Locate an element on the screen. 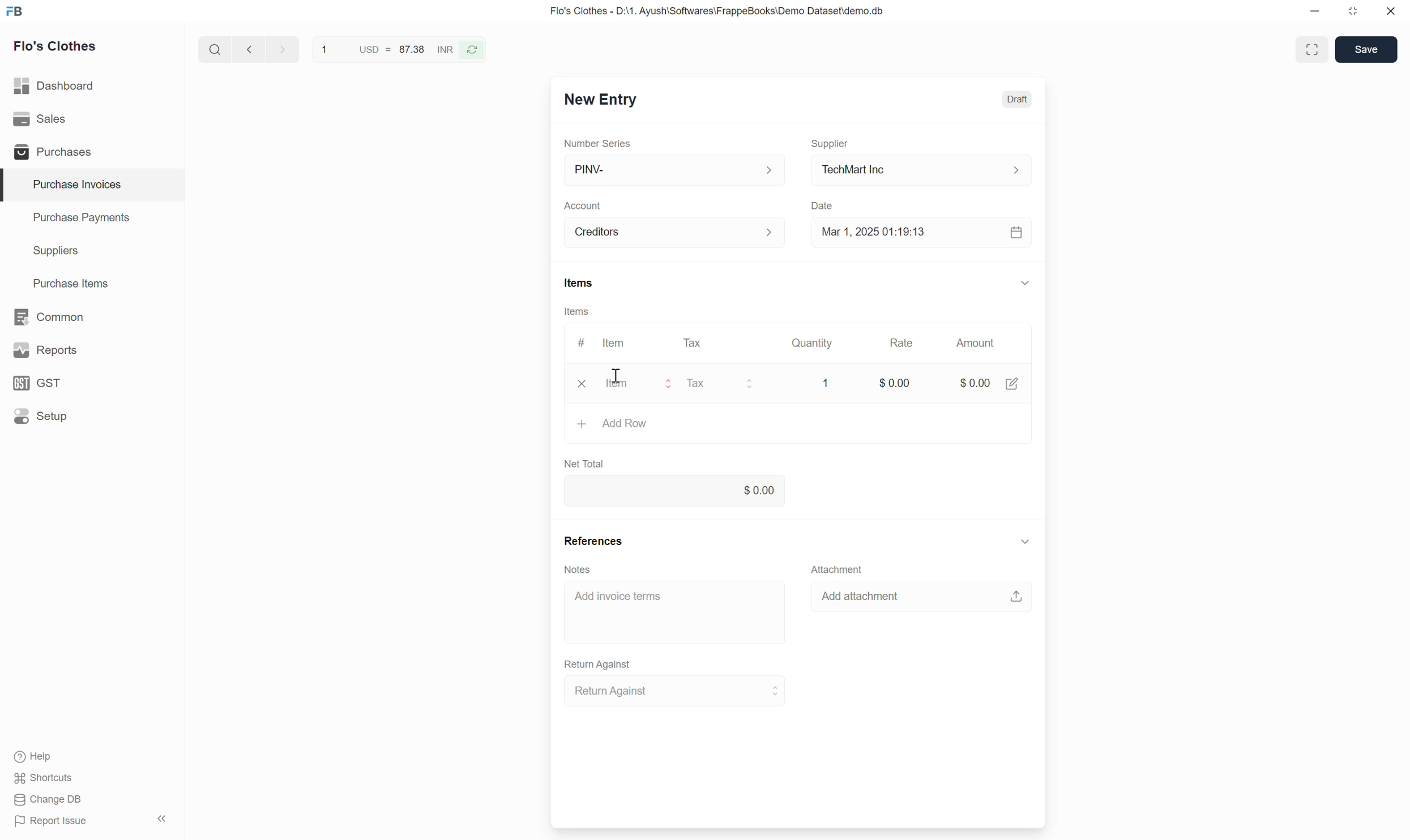 The height and width of the screenshot is (840, 1410). Purchases is located at coordinates (50, 152).